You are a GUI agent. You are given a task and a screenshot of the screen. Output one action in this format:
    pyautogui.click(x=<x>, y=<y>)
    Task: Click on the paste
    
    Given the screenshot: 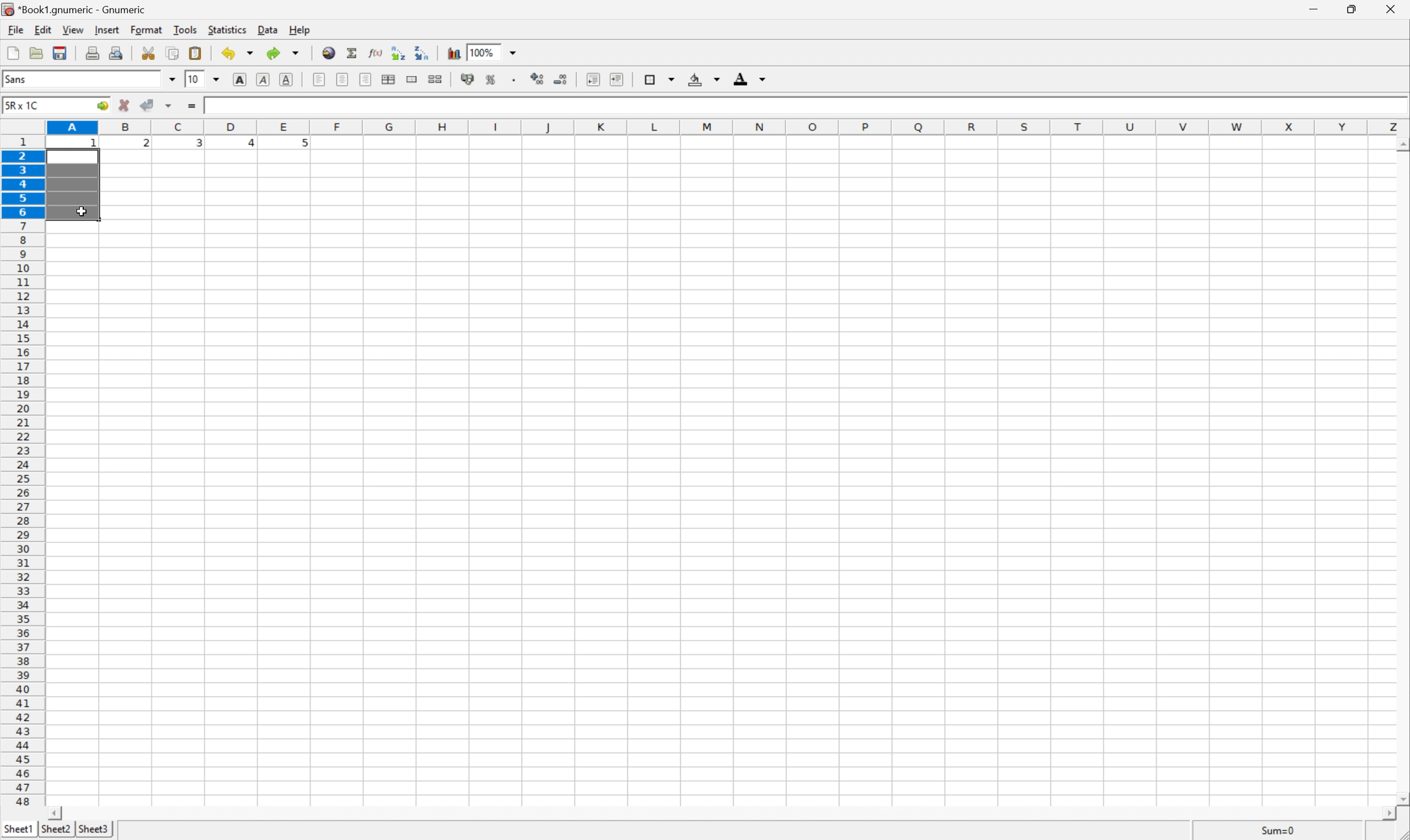 What is the action you would take?
    pyautogui.click(x=195, y=52)
    